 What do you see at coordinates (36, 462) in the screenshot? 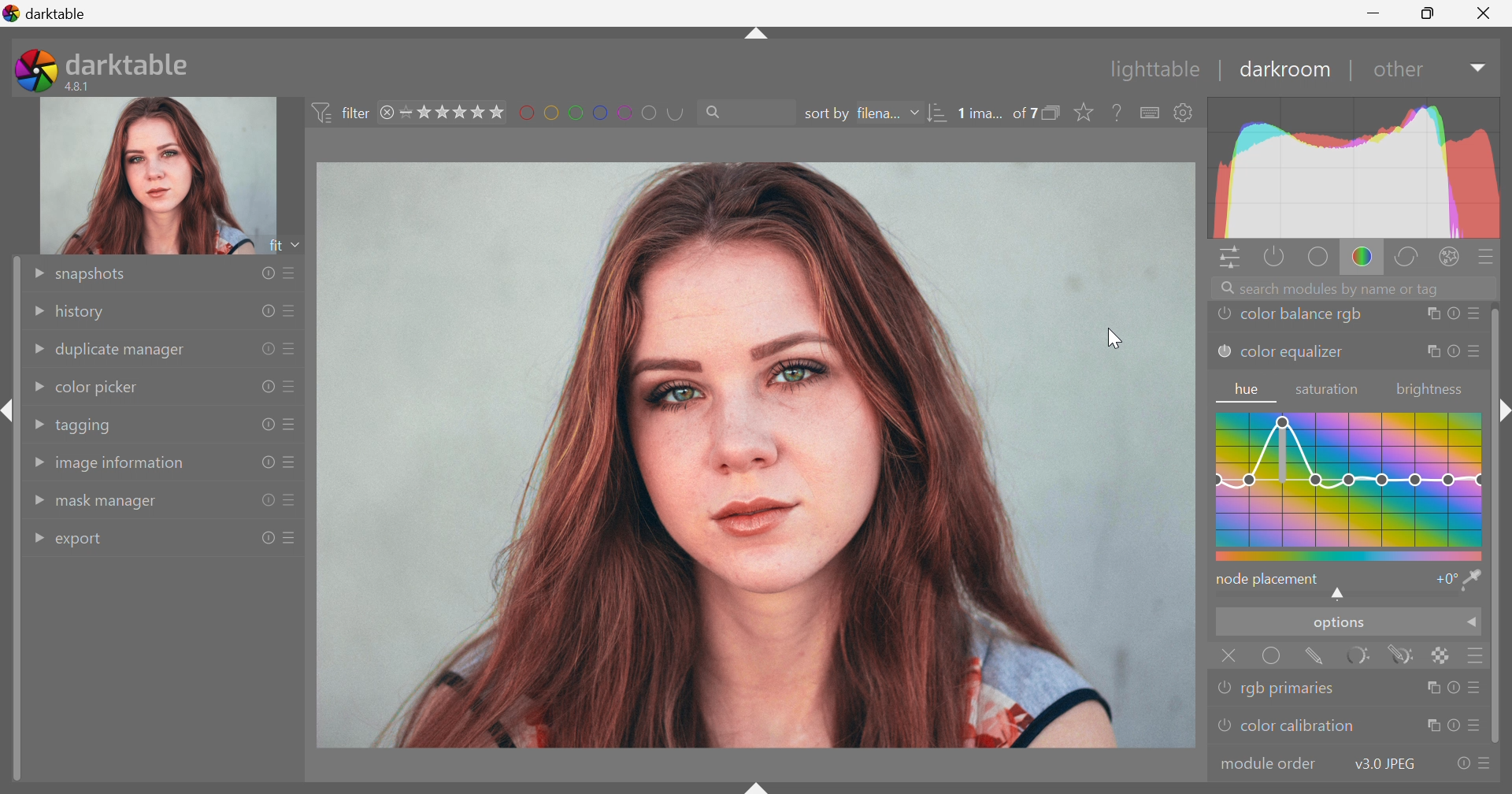
I see `Drop Down` at bounding box center [36, 462].